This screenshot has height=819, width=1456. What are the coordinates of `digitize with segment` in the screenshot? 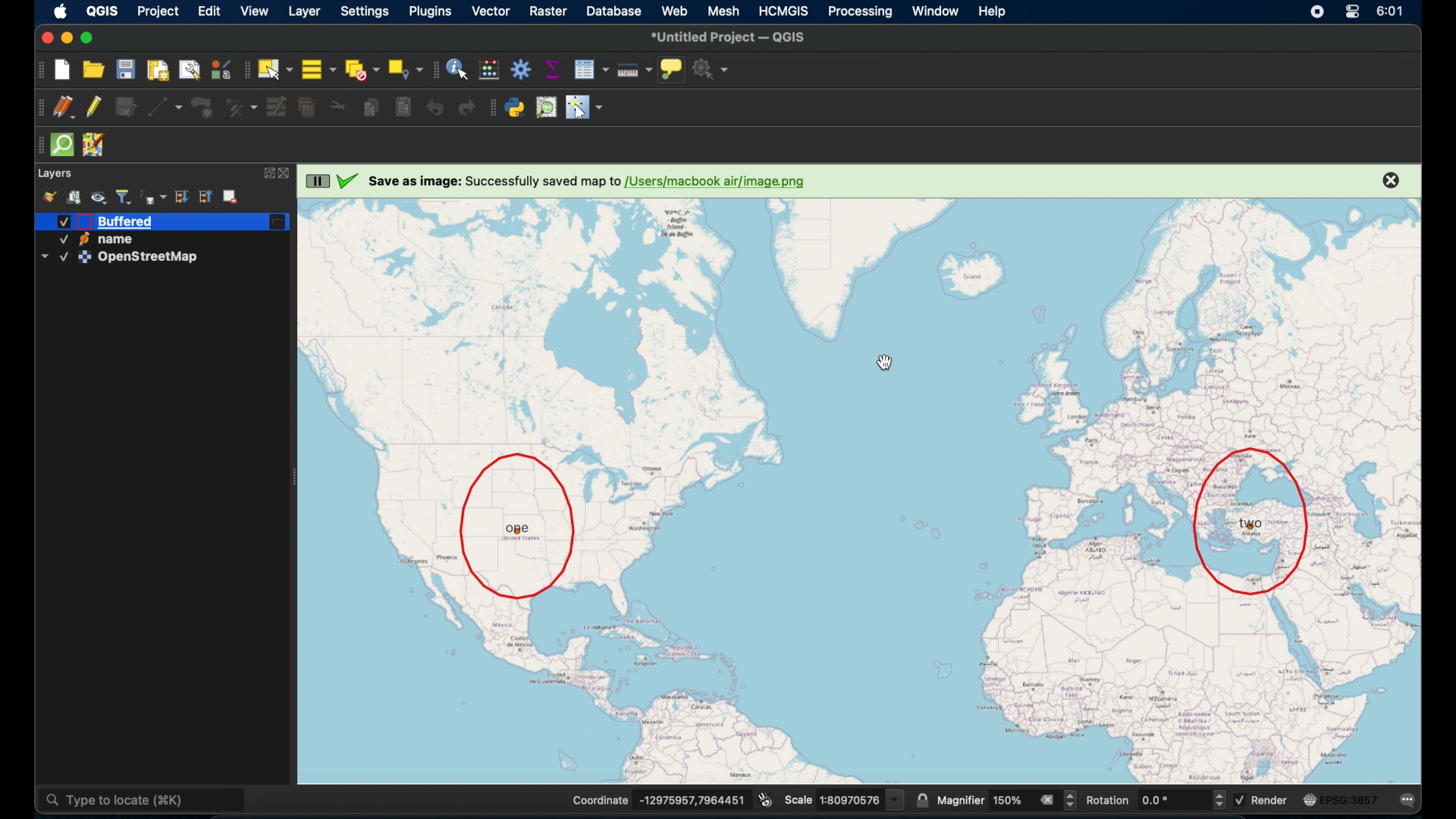 It's located at (166, 106).